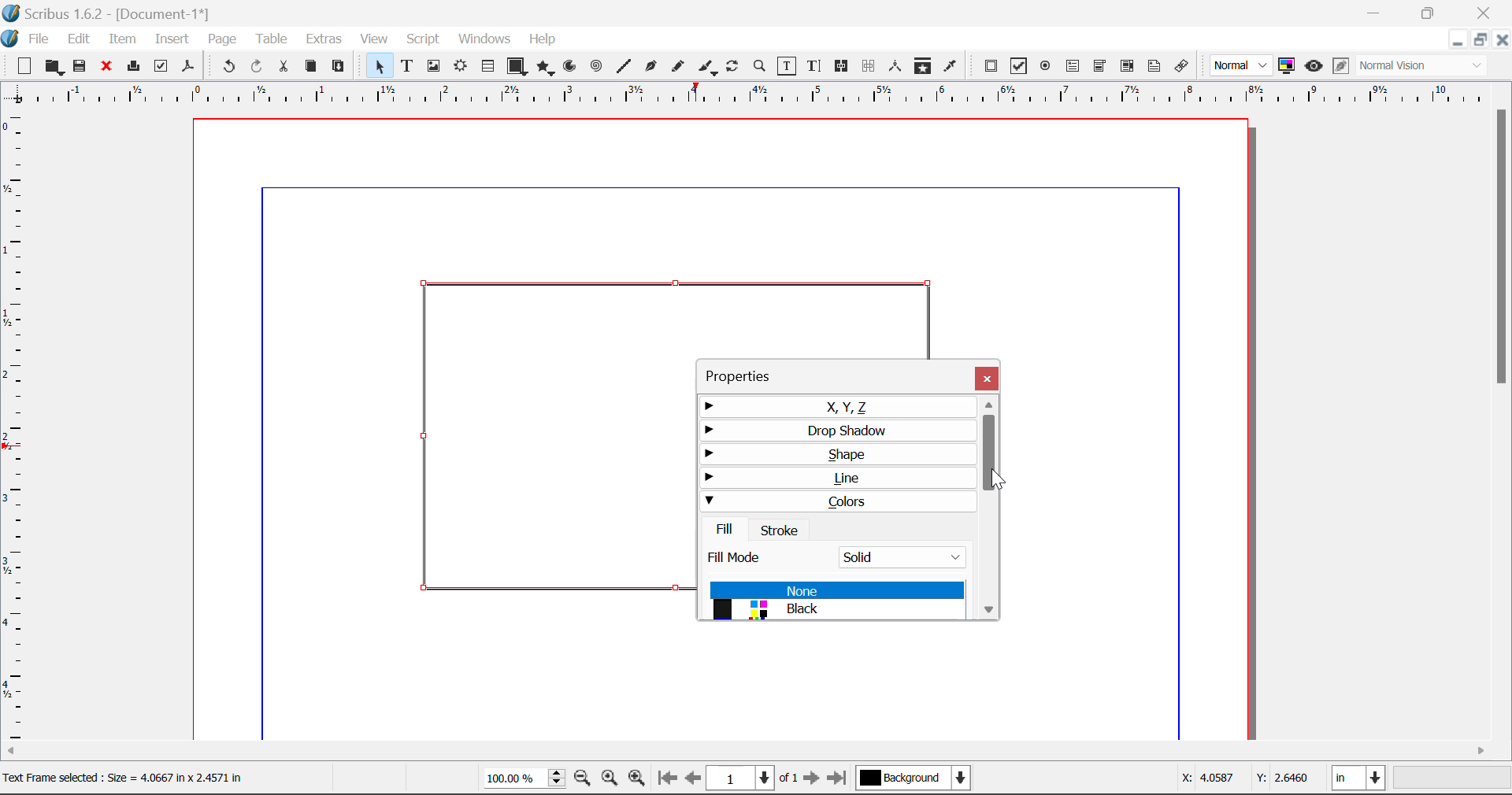  Describe the element at coordinates (375, 40) in the screenshot. I see `View` at that location.